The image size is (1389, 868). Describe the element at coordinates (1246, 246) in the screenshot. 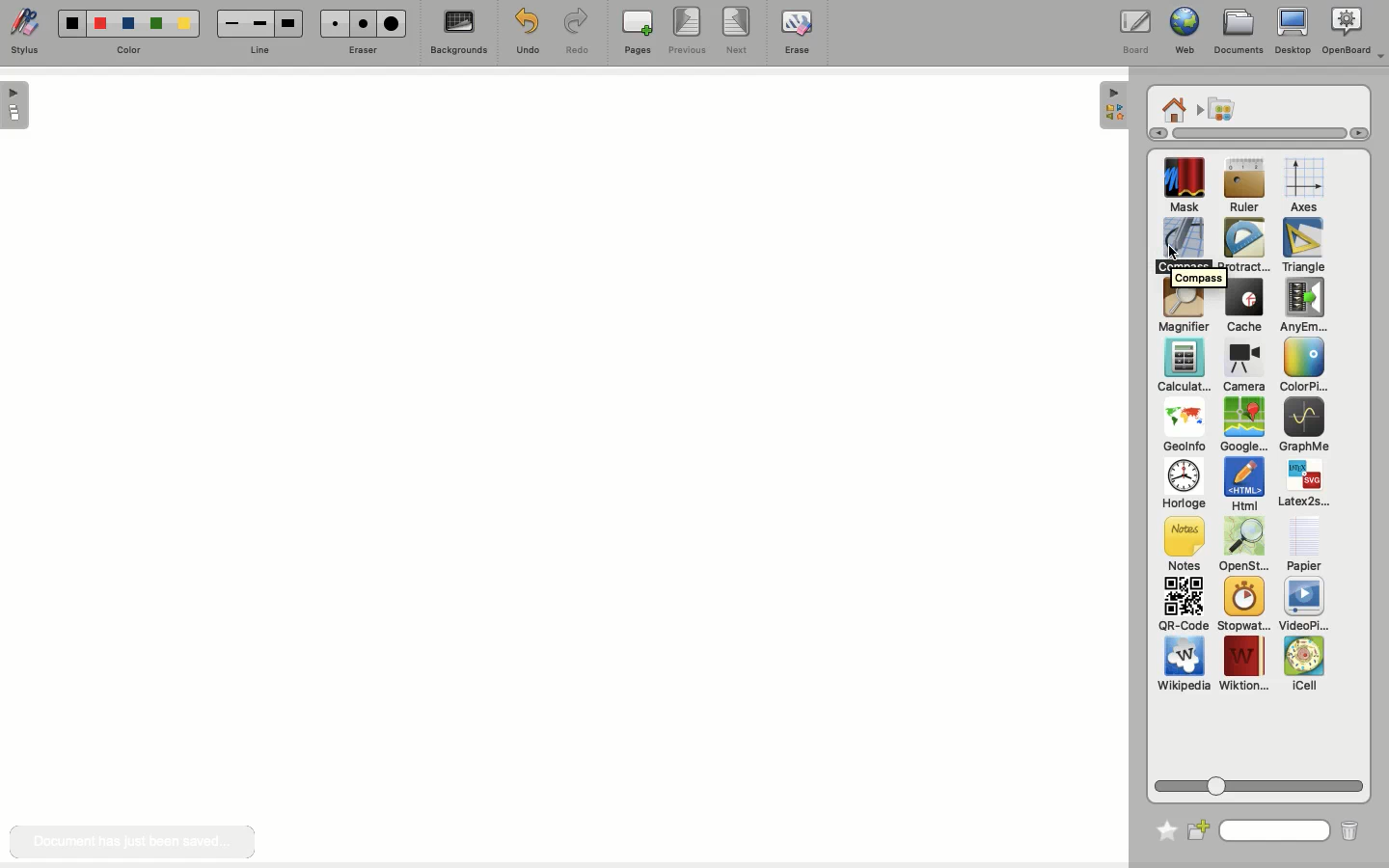

I see `Protractor` at that location.